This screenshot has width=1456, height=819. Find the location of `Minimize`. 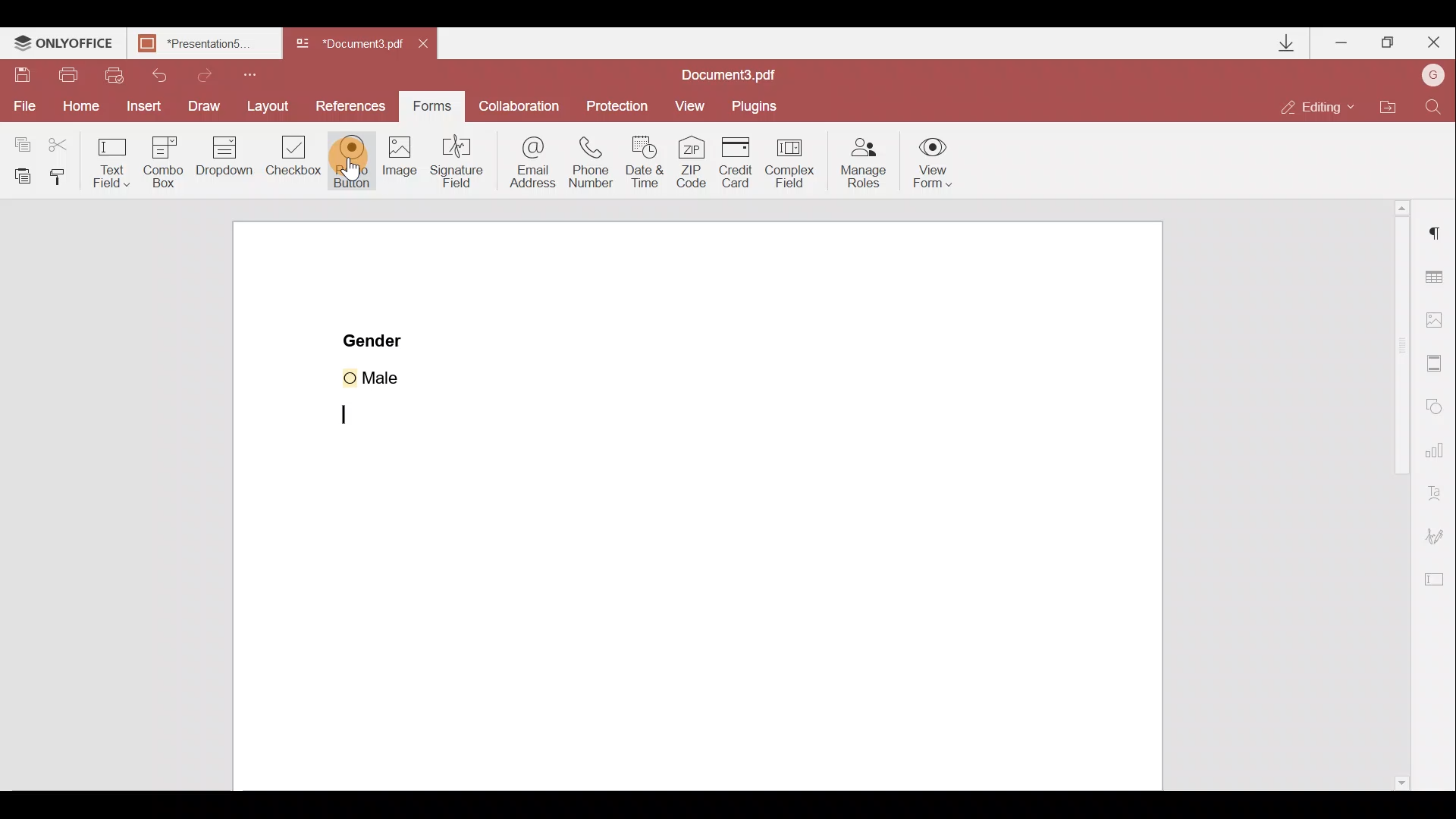

Minimize is located at coordinates (1341, 42).